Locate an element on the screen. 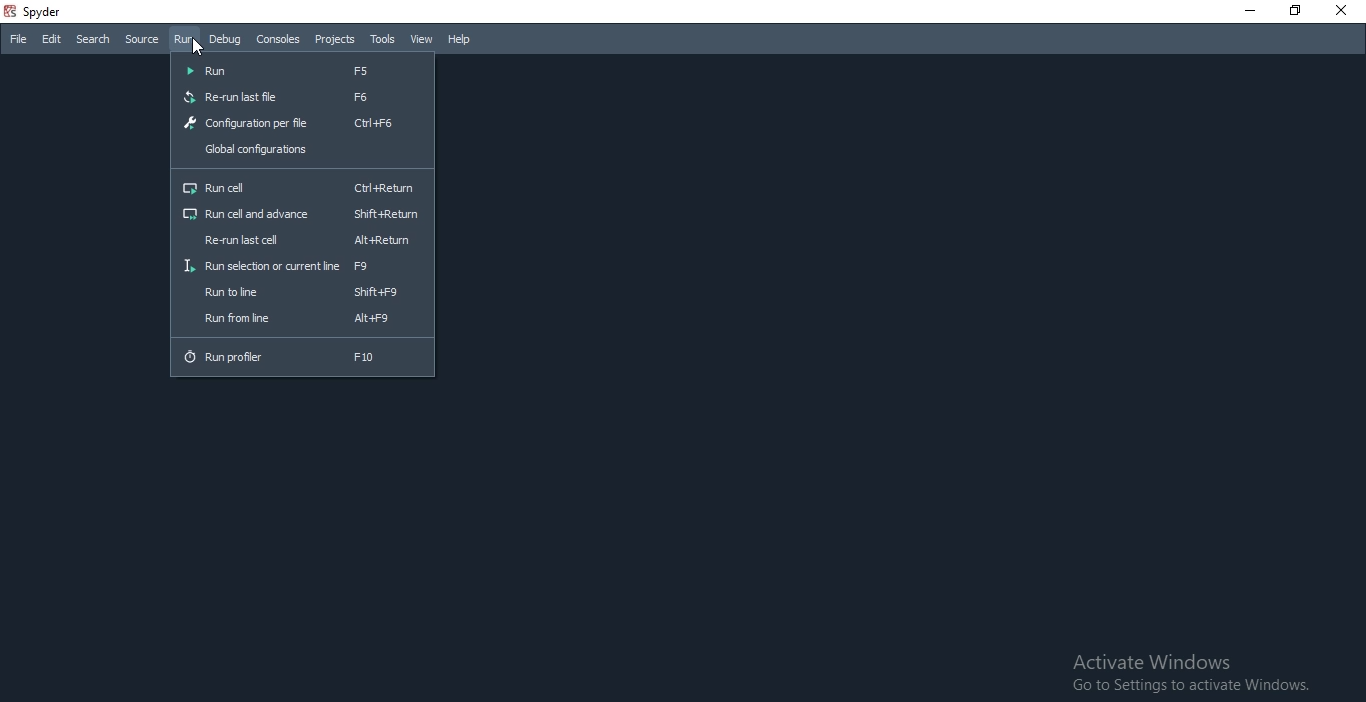  Consoles is located at coordinates (277, 39).